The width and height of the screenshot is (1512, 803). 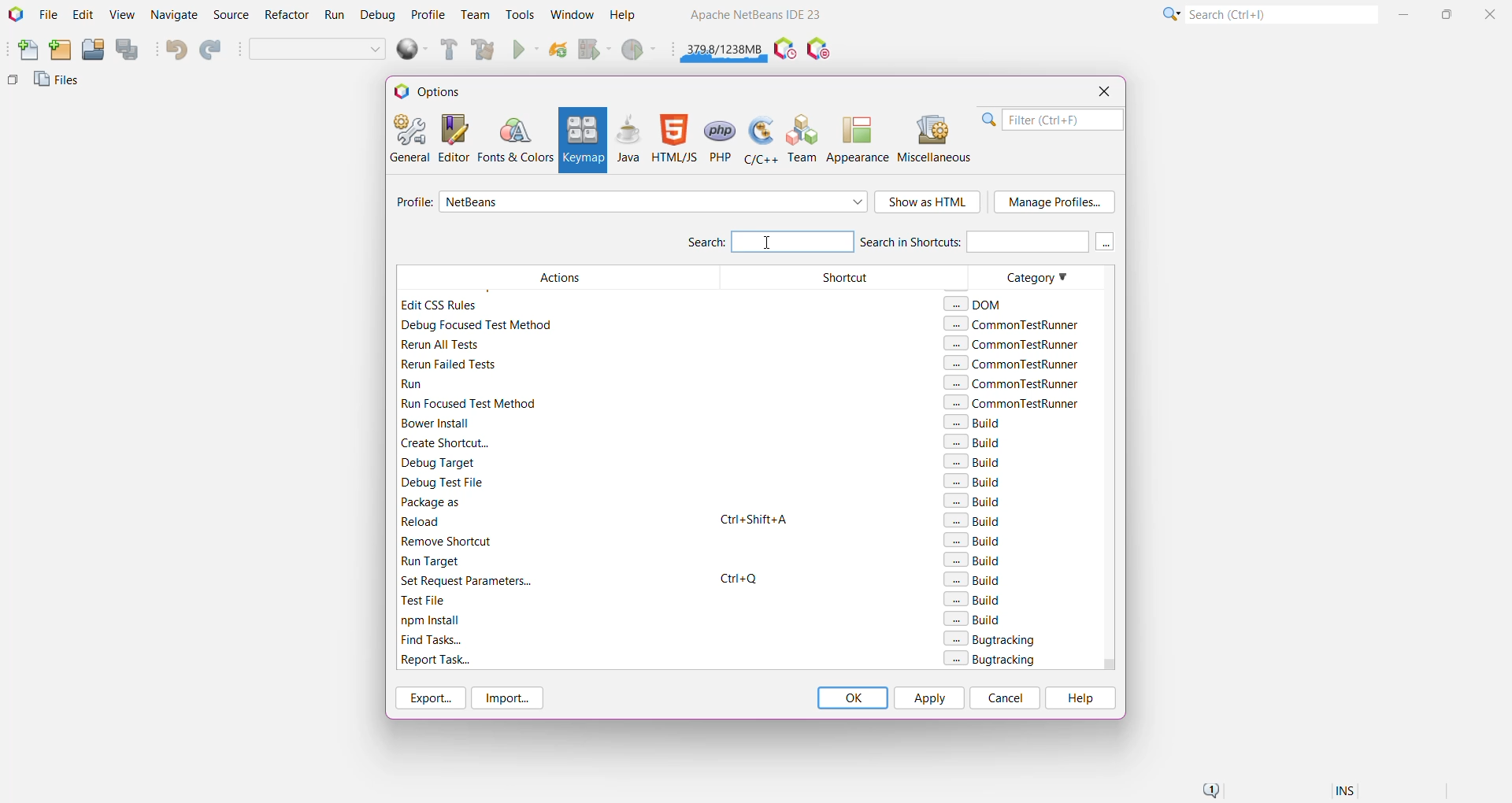 What do you see at coordinates (408, 137) in the screenshot?
I see `General` at bounding box center [408, 137].